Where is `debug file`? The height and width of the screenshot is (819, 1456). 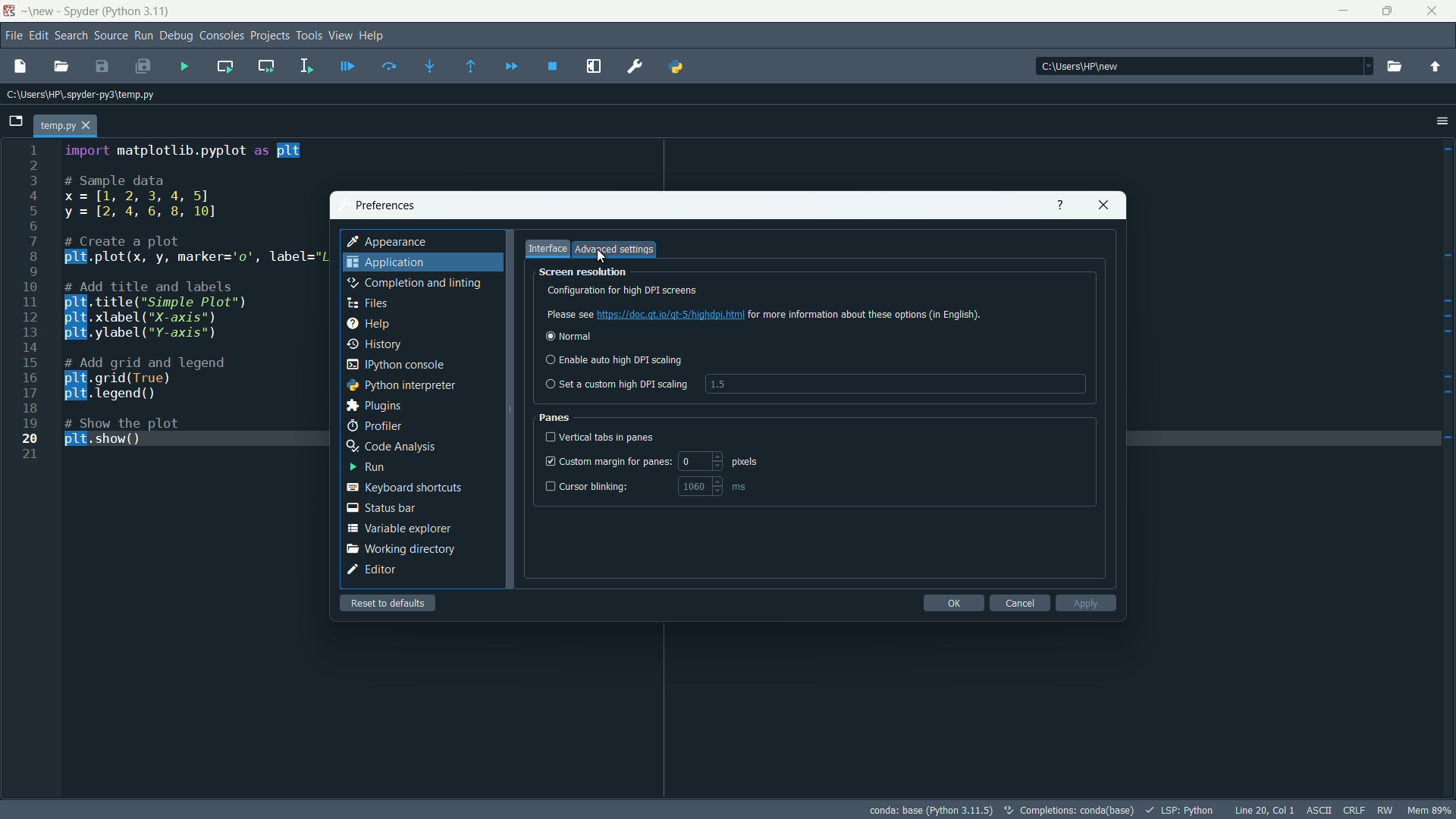
debug file is located at coordinates (349, 67).